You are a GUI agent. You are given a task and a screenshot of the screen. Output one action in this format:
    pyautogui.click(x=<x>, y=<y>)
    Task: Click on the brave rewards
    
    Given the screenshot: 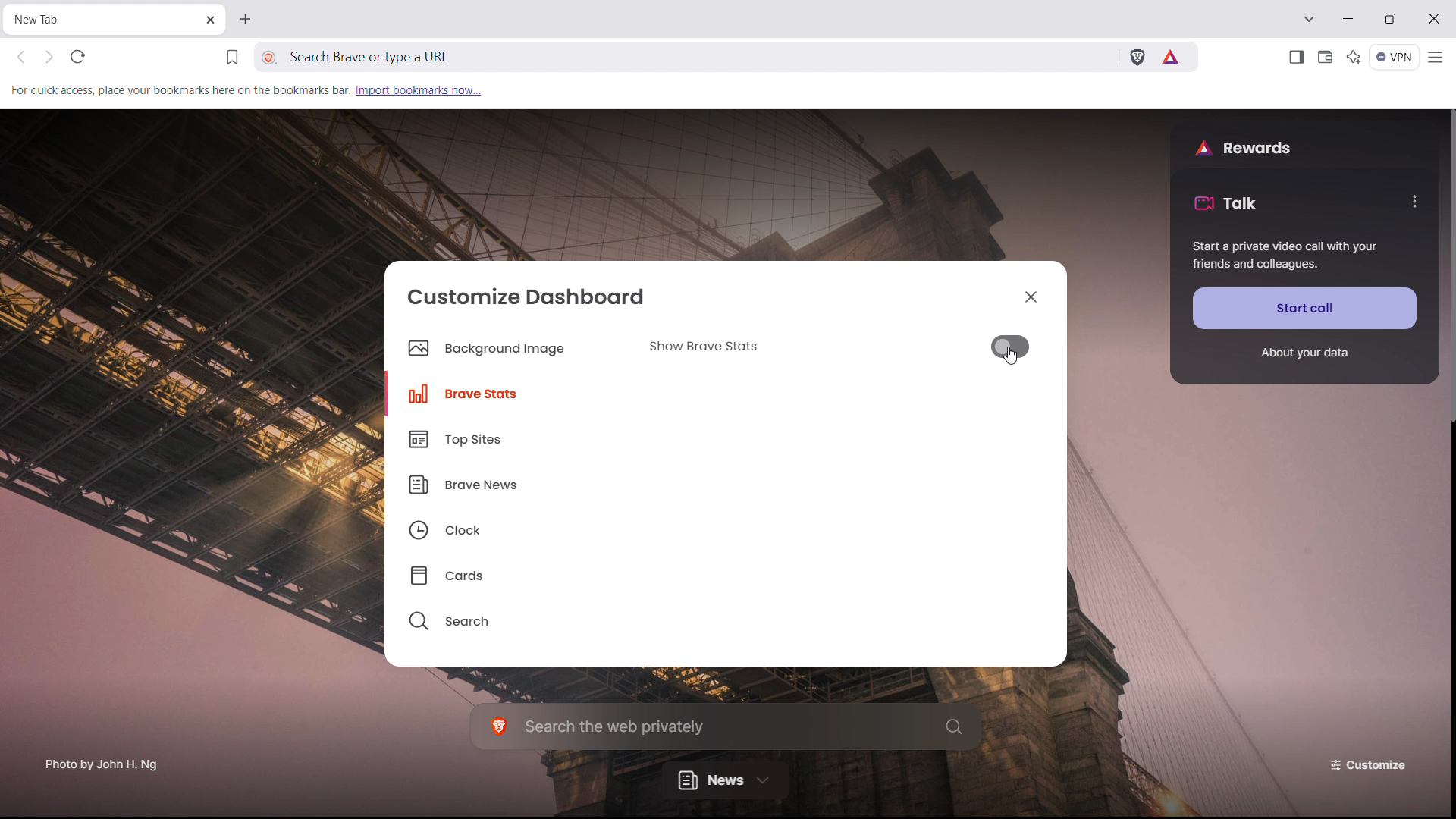 What is the action you would take?
    pyautogui.click(x=1172, y=57)
    